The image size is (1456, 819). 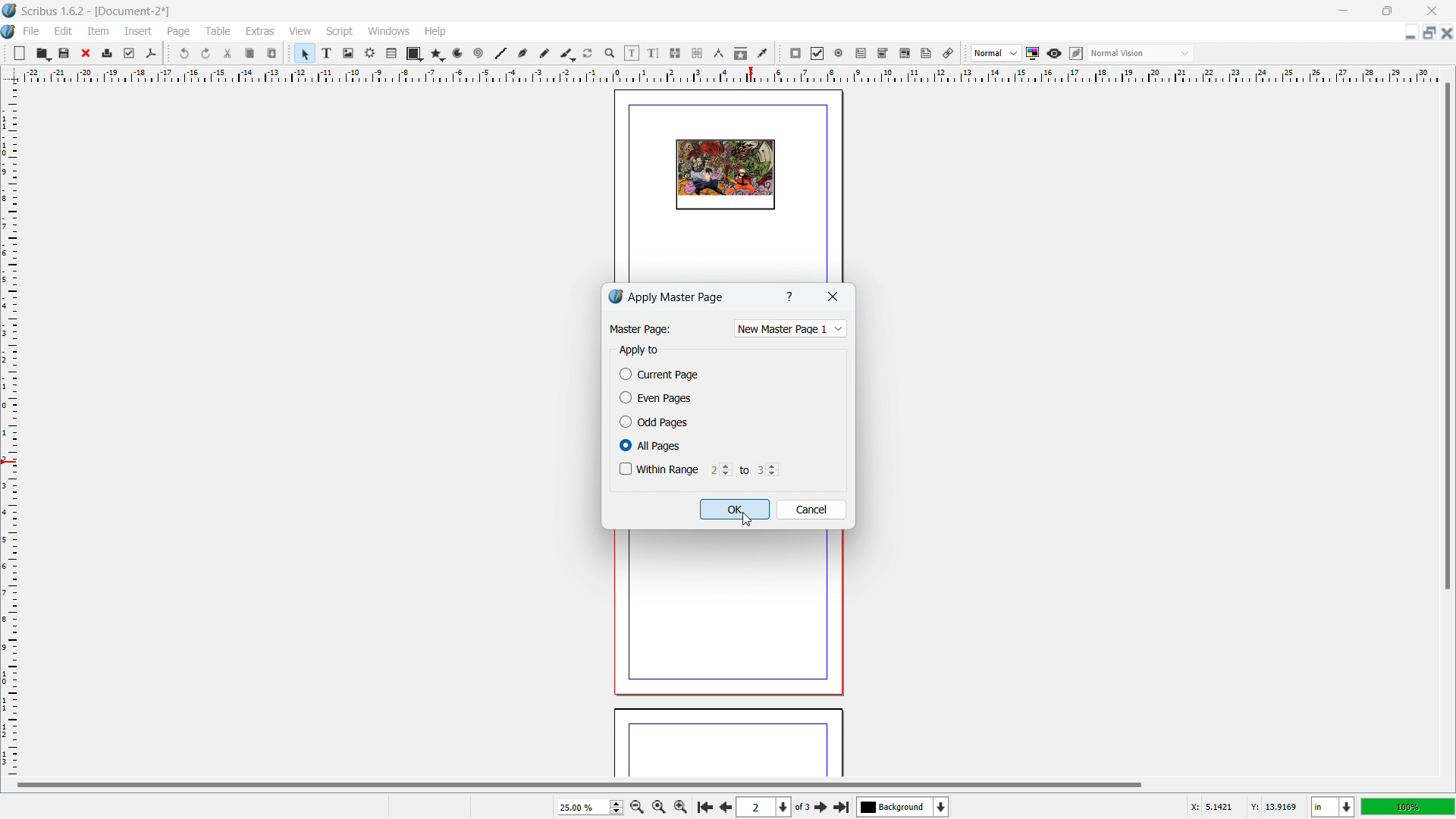 What do you see at coordinates (206, 54) in the screenshot?
I see `redo` at bounding box center [206, 54].